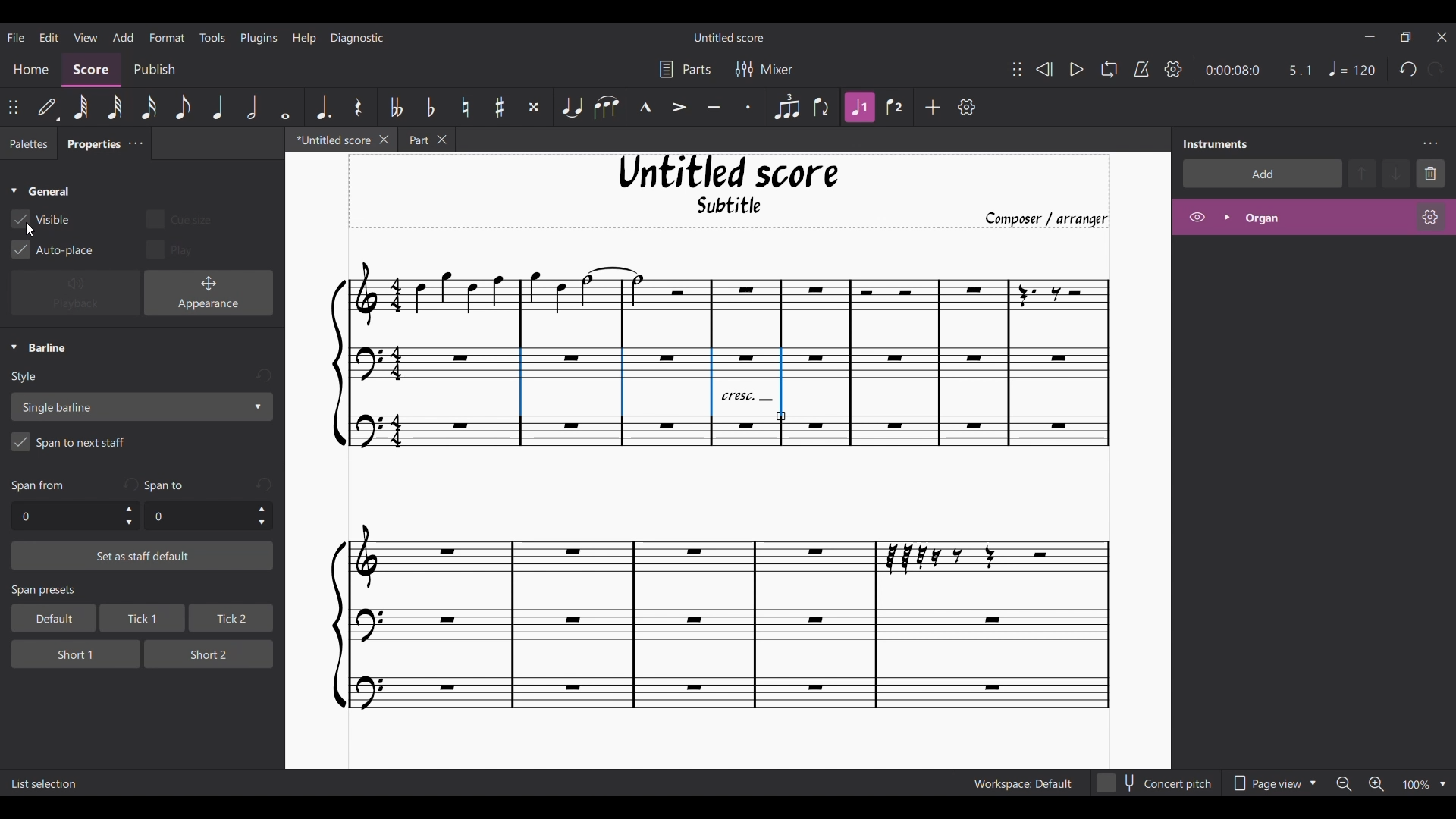 Image resolution: width=1456 pixels, height=819 pixels. What do you see at coordinates (287, 106) in the screenshot?
I see `Whole note` at bounding box center [287, 106].